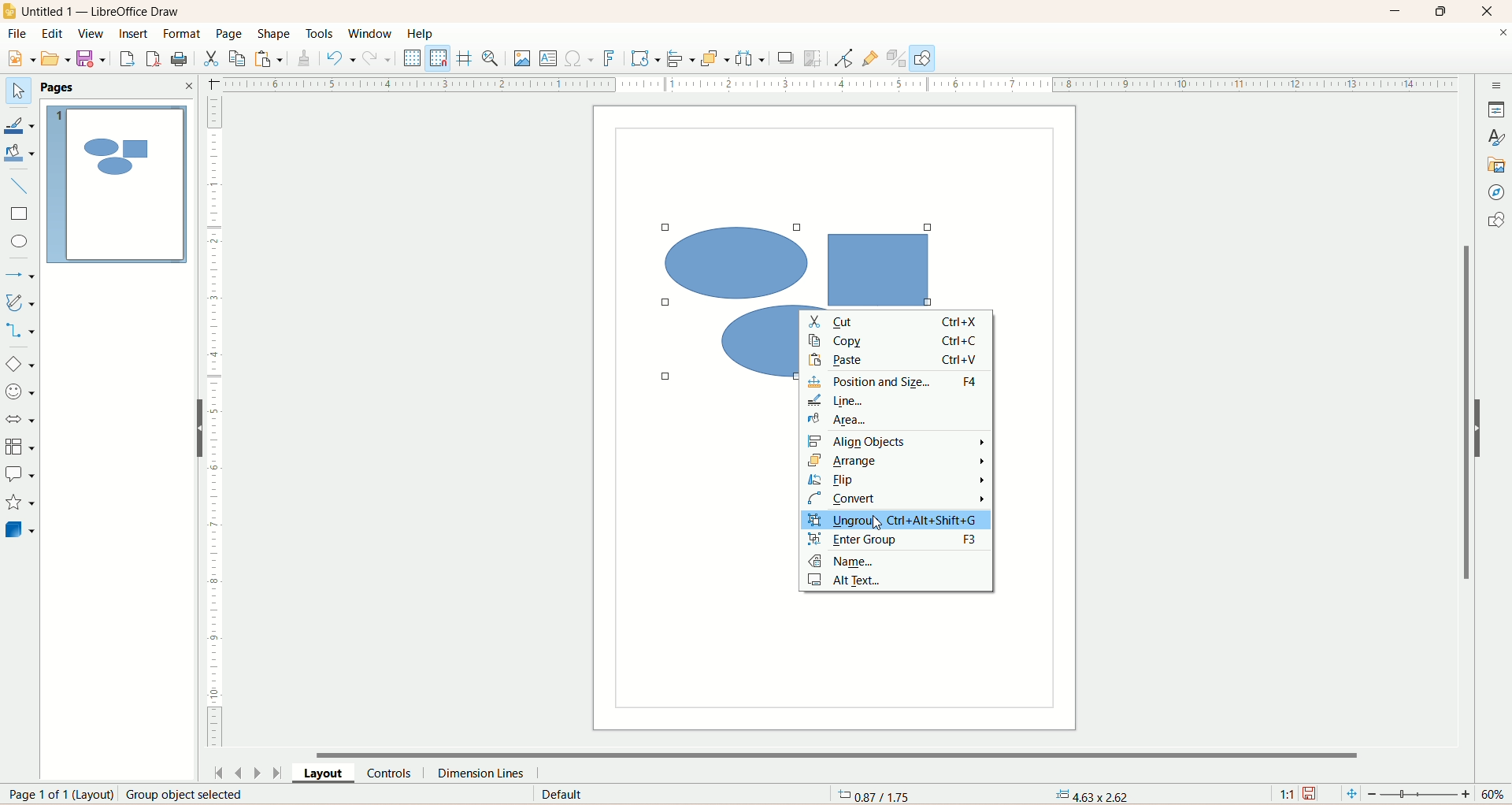 The width and height of the screenshot is (1512, 805). I want to click on layout, so click(324, 771).